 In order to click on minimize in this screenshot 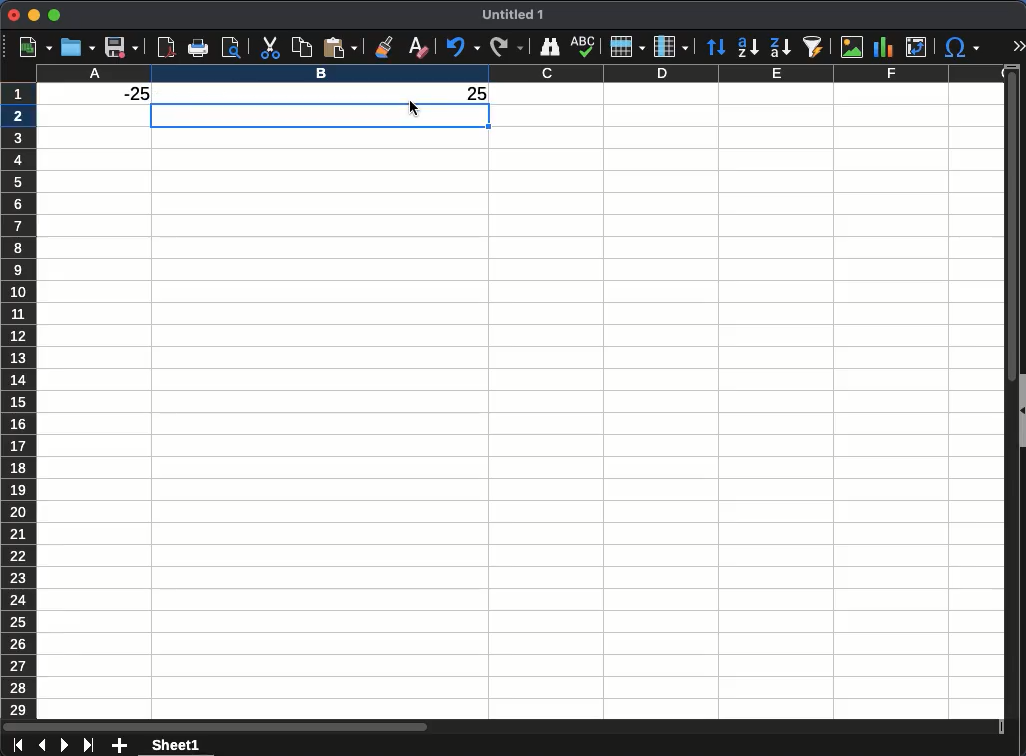, I will do `click(34, 14)`.